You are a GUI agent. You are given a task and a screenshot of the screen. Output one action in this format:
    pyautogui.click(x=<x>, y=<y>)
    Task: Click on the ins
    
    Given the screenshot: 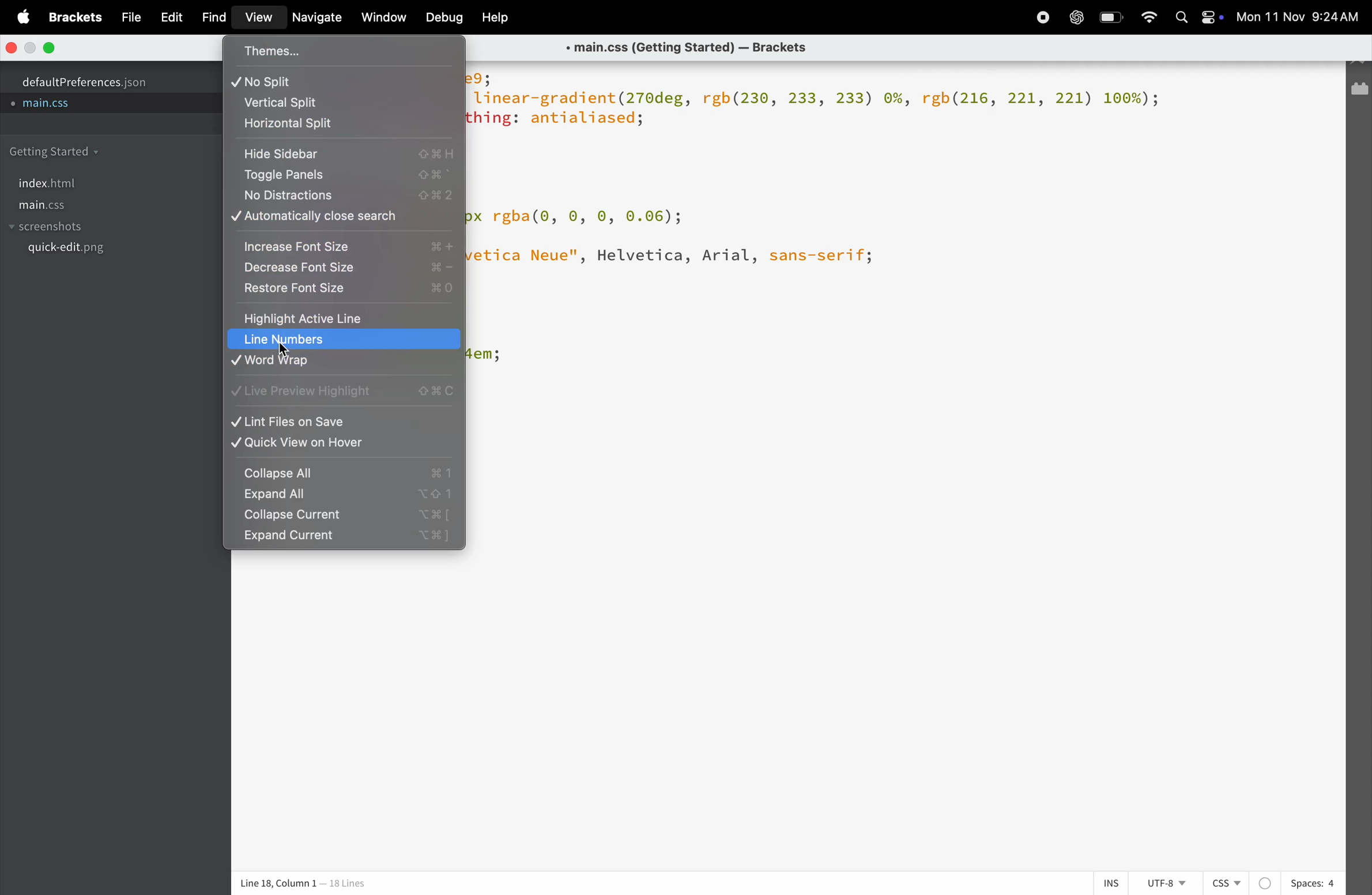 What is the action you would take?
    pyautogui.click(x=1106, y=882)
    